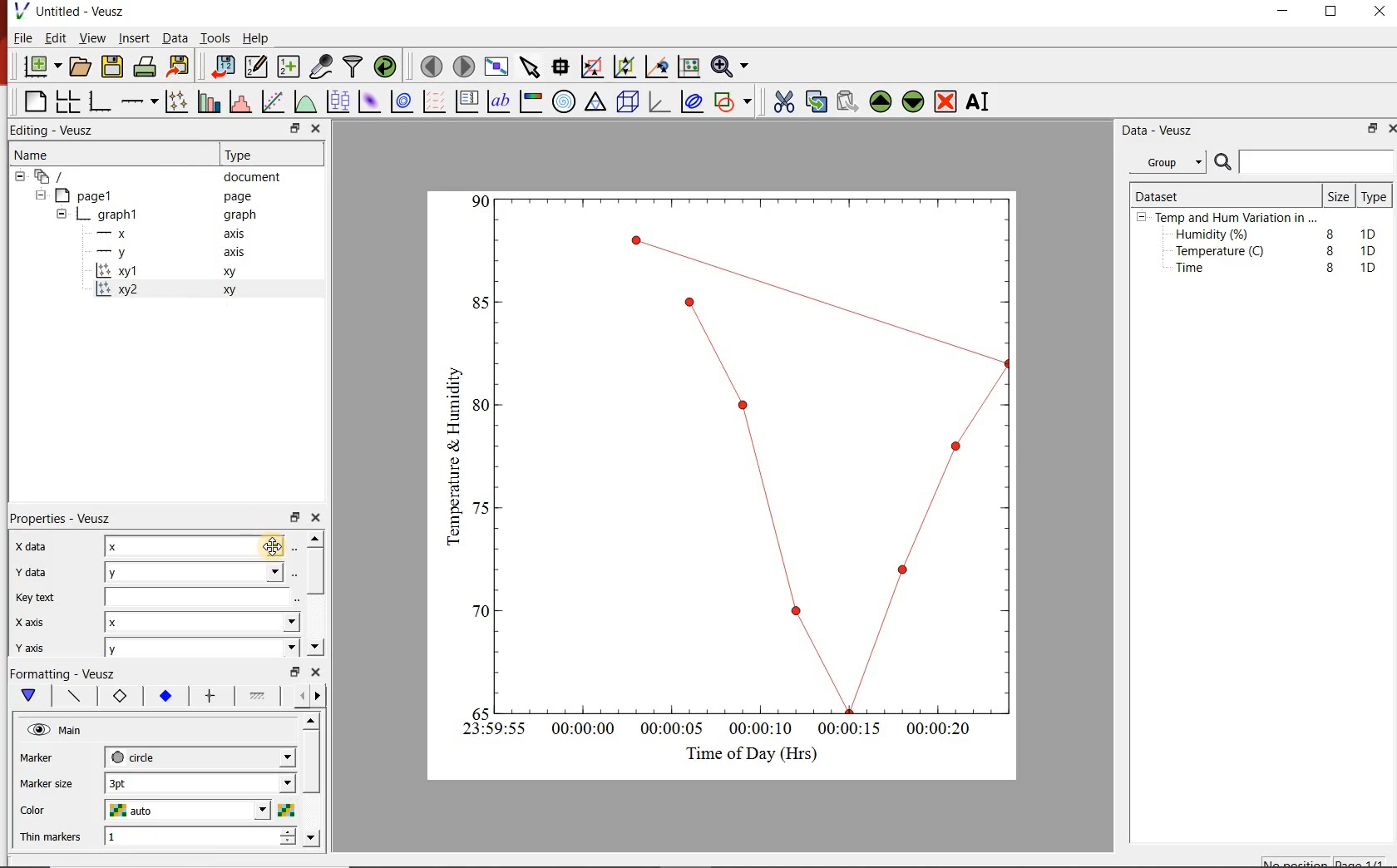 This screenshot has height=868, width=1397. What do you see at coordinates (250, 545) in the screenshot?
I see `x data dropdown` at bounding box center [250, 545].